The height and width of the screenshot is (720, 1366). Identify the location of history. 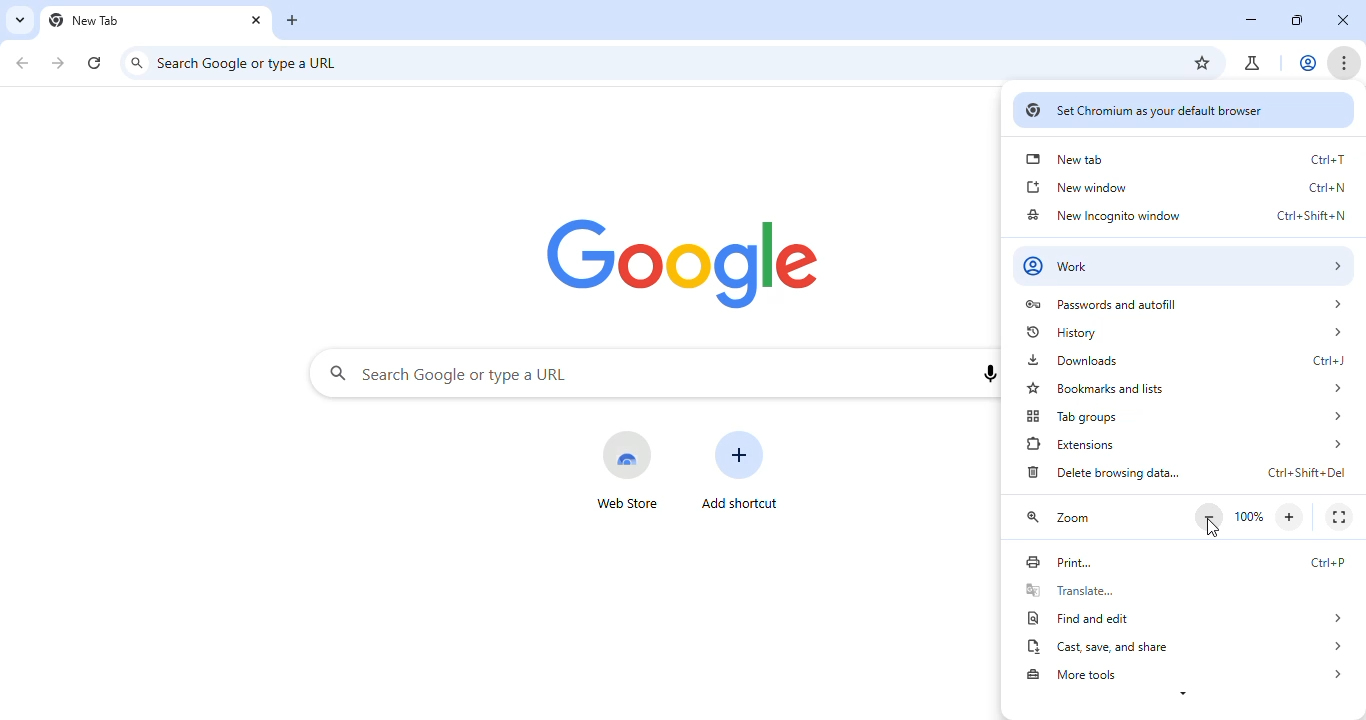
(1183, 332).